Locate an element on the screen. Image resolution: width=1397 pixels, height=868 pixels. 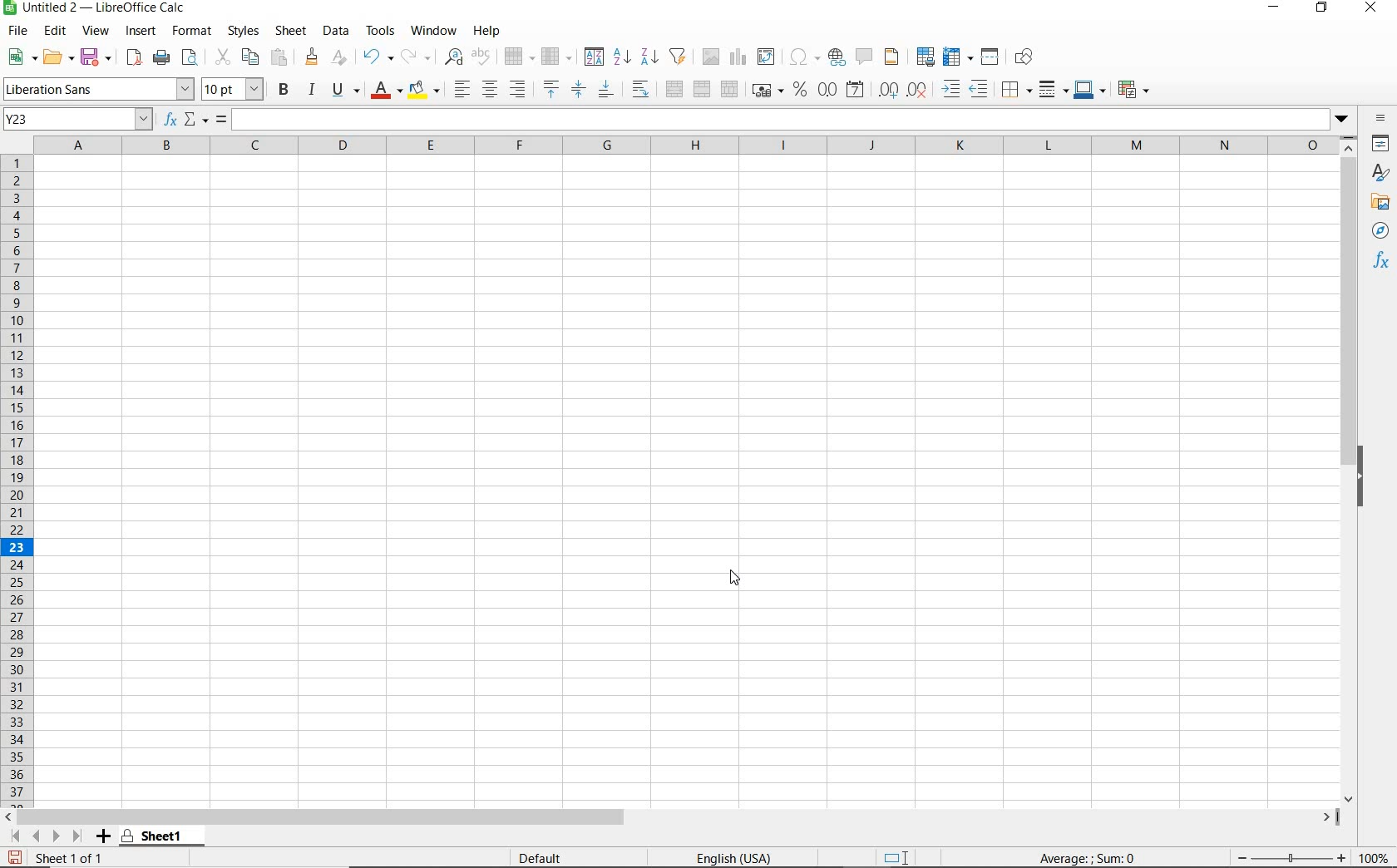
WORKSHEET PROTECTED is located at coordinates (158, 836).